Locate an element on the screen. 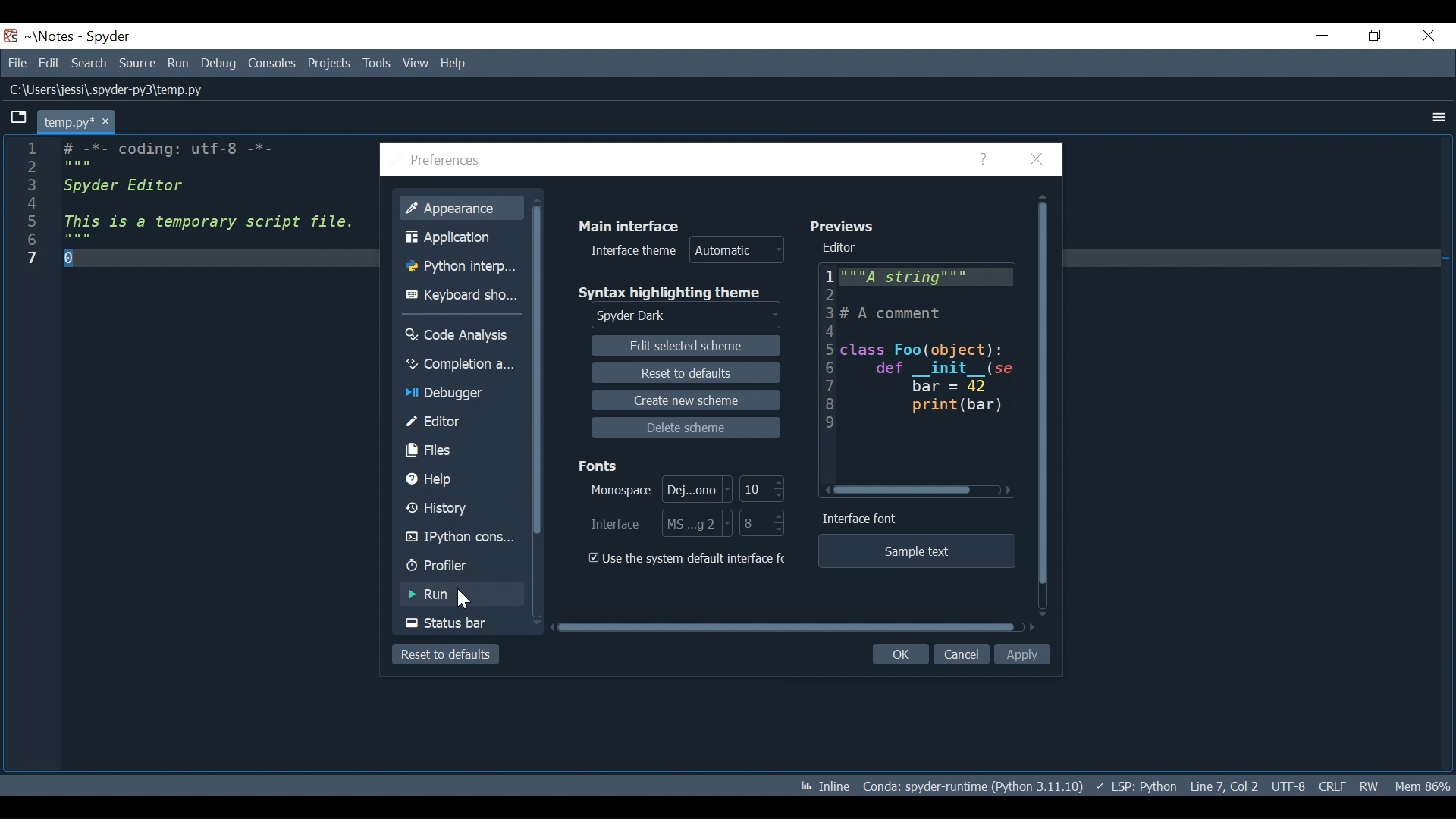  Search is located at coordinates (89, 64).